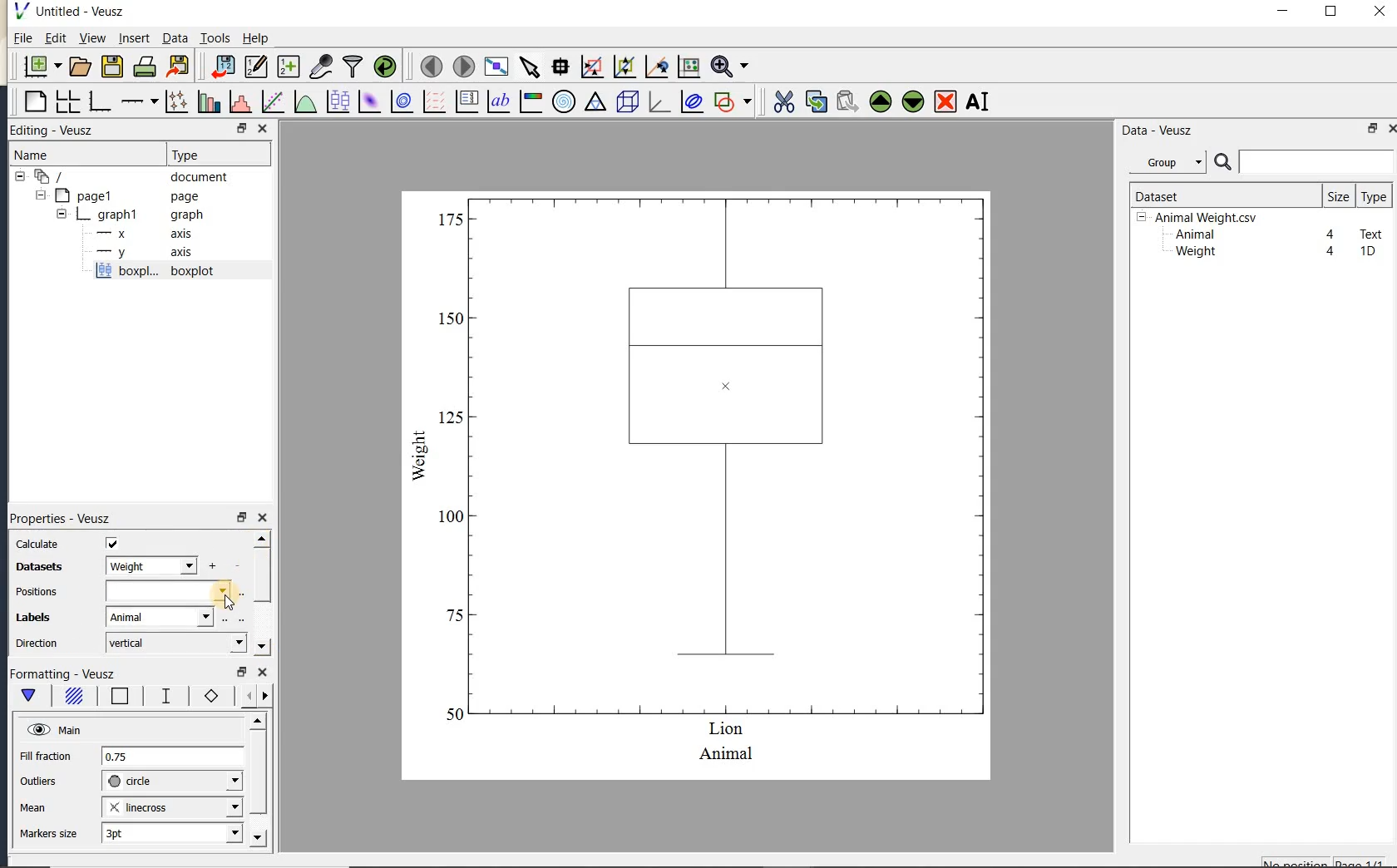 This screenshot has height=868, width=1397. I want to click on 1D, so click(1367, 251).